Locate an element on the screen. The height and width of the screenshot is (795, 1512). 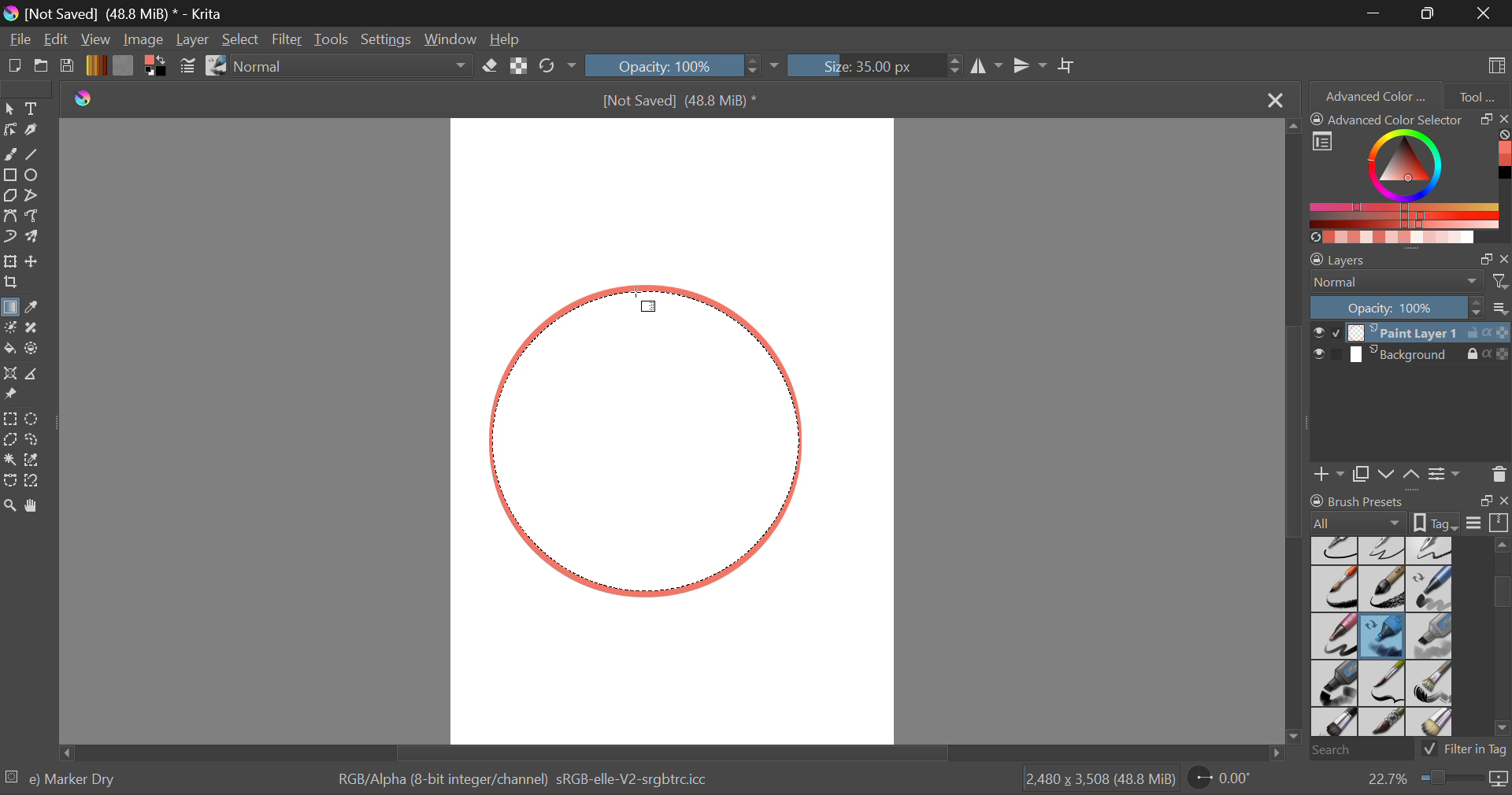
 is located at coordinates (57, 41).